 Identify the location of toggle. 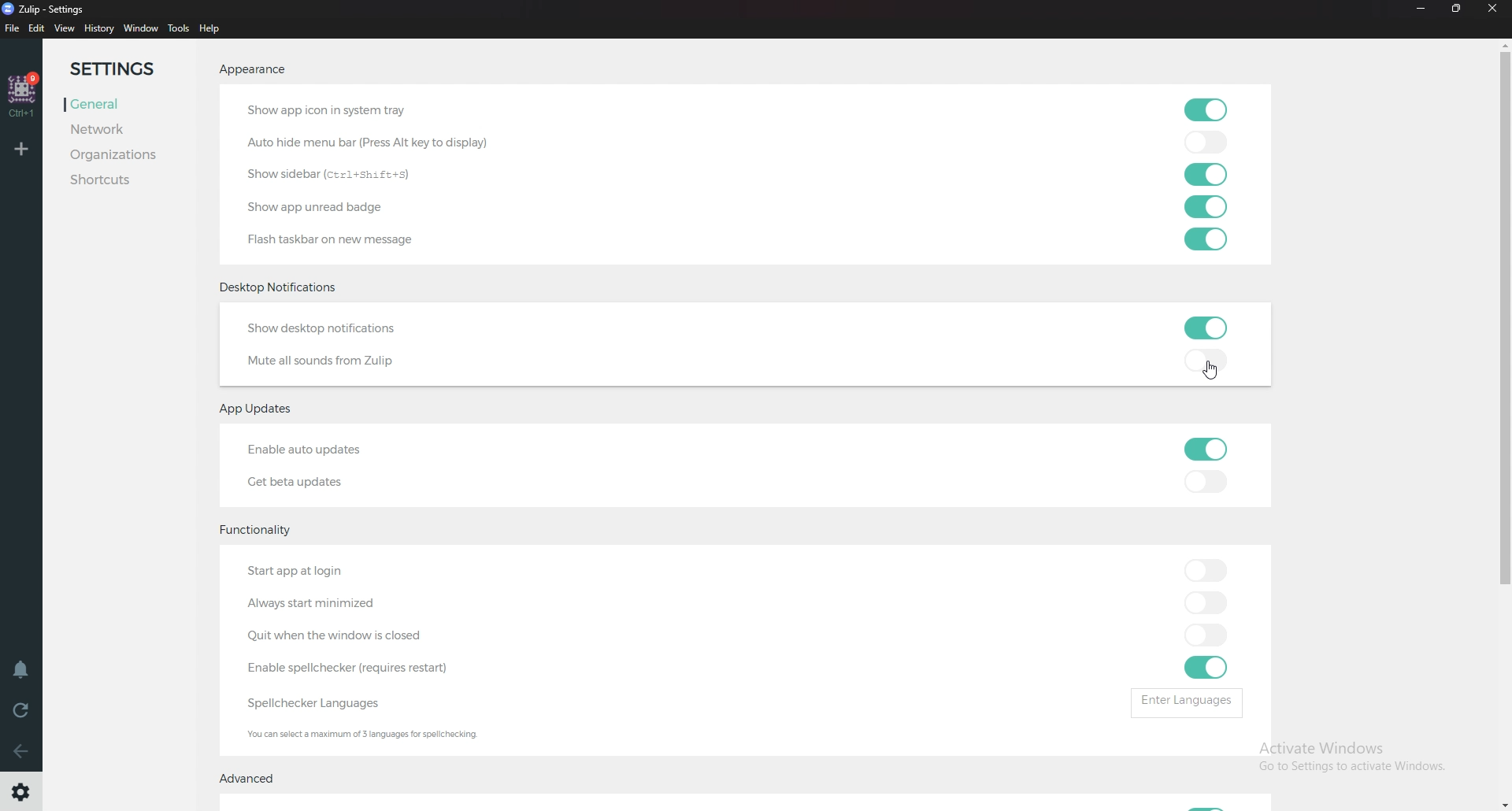
(1206, 241).